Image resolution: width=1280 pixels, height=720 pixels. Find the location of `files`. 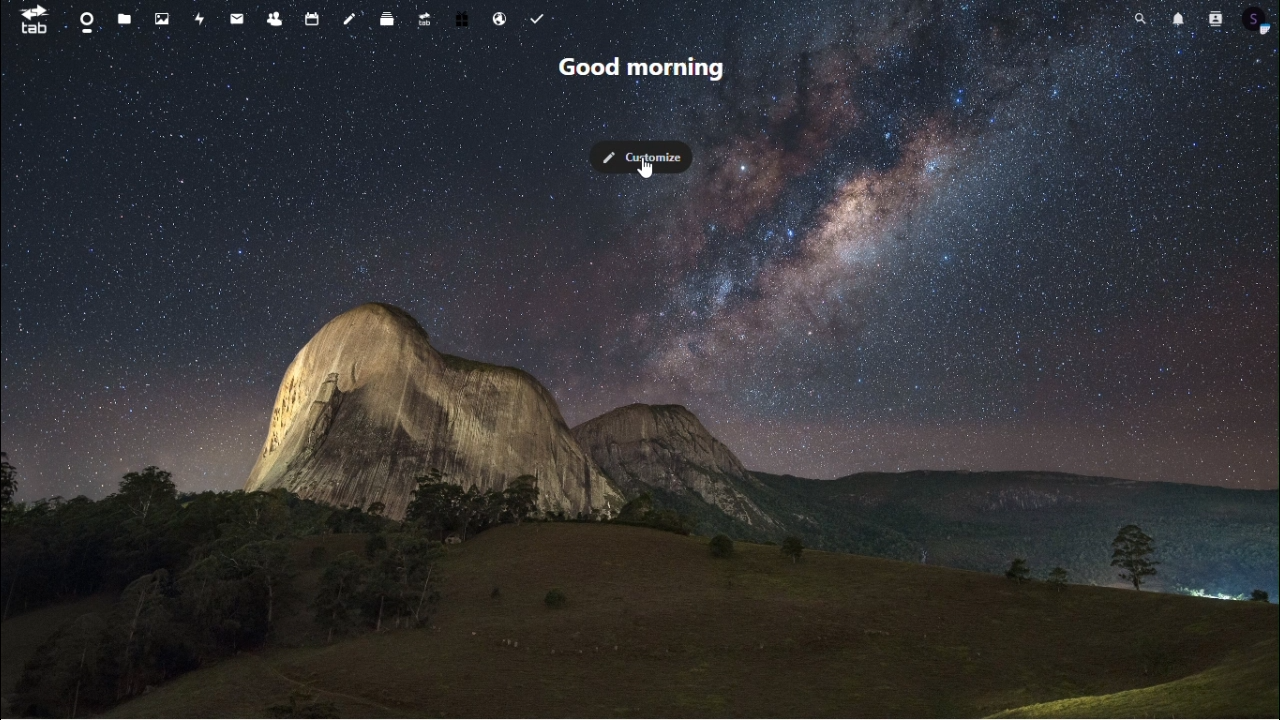

files is located at coordinates (124, 20).